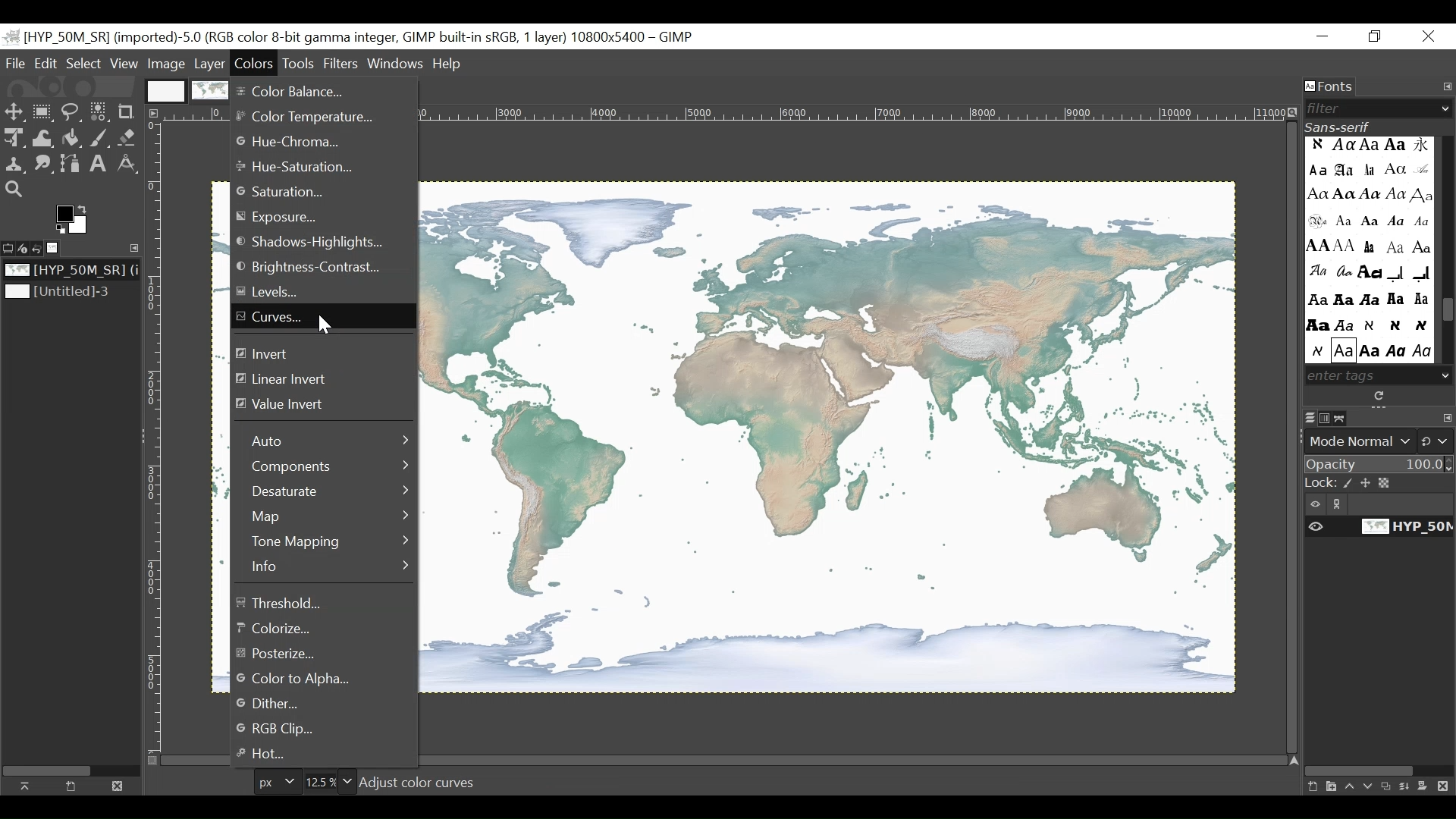  What do you see at coordinates (853, 112) in the screenshot?
I see `Horizontal Ruler` at bounding box center [853, 112].